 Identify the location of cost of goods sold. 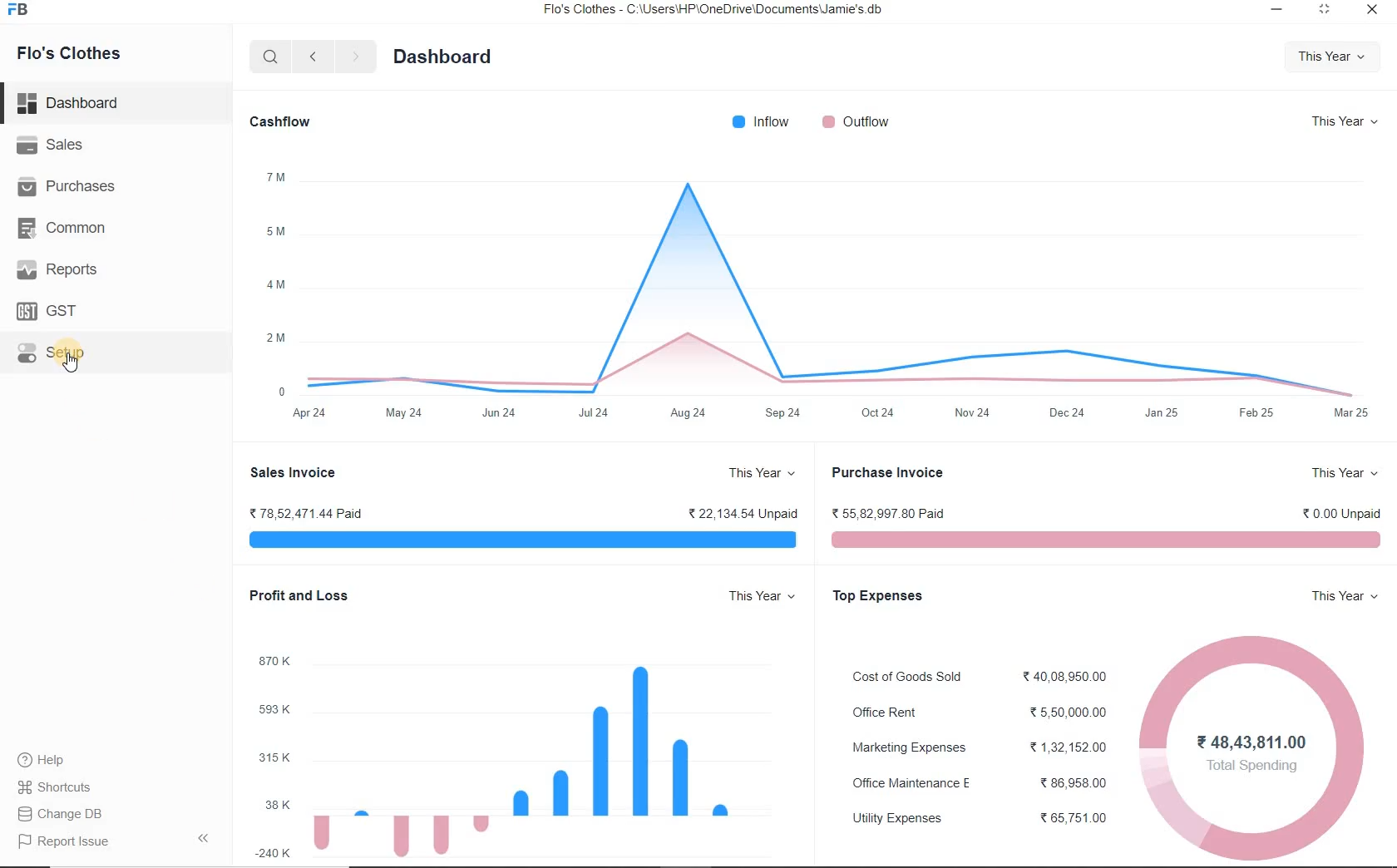
(909, 677).